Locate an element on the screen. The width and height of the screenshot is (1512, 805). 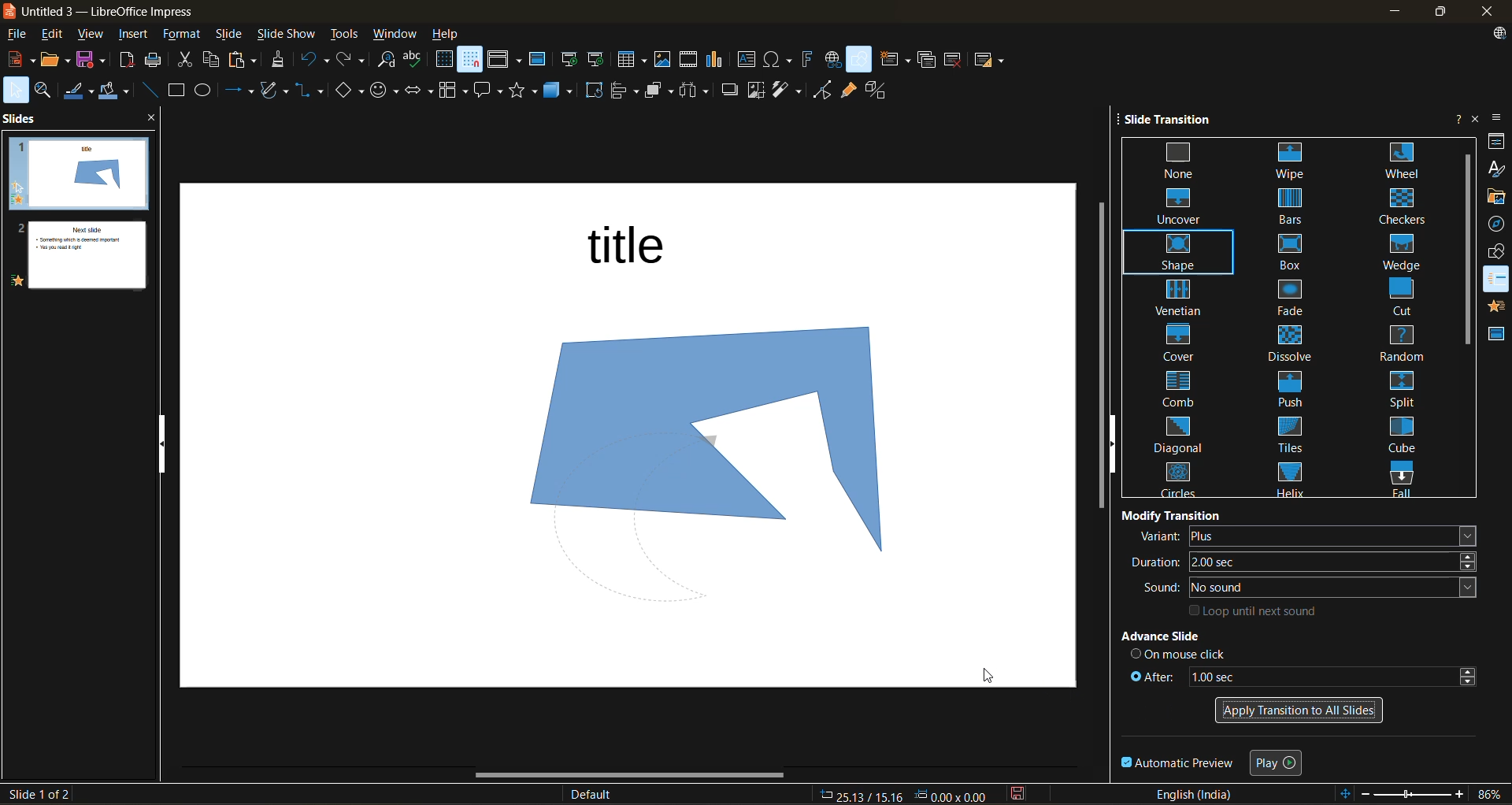
hide is located at coordinates (1115, 444).